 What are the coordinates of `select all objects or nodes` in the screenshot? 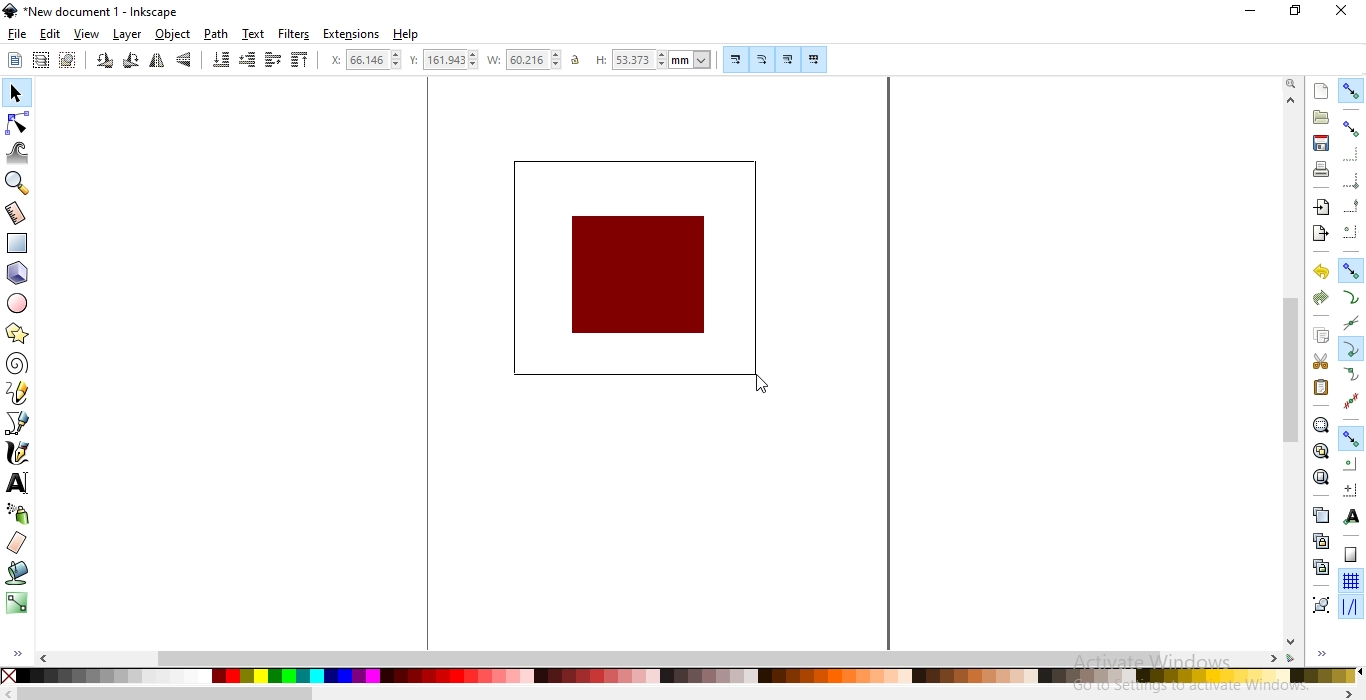 It's located at (14, 60).